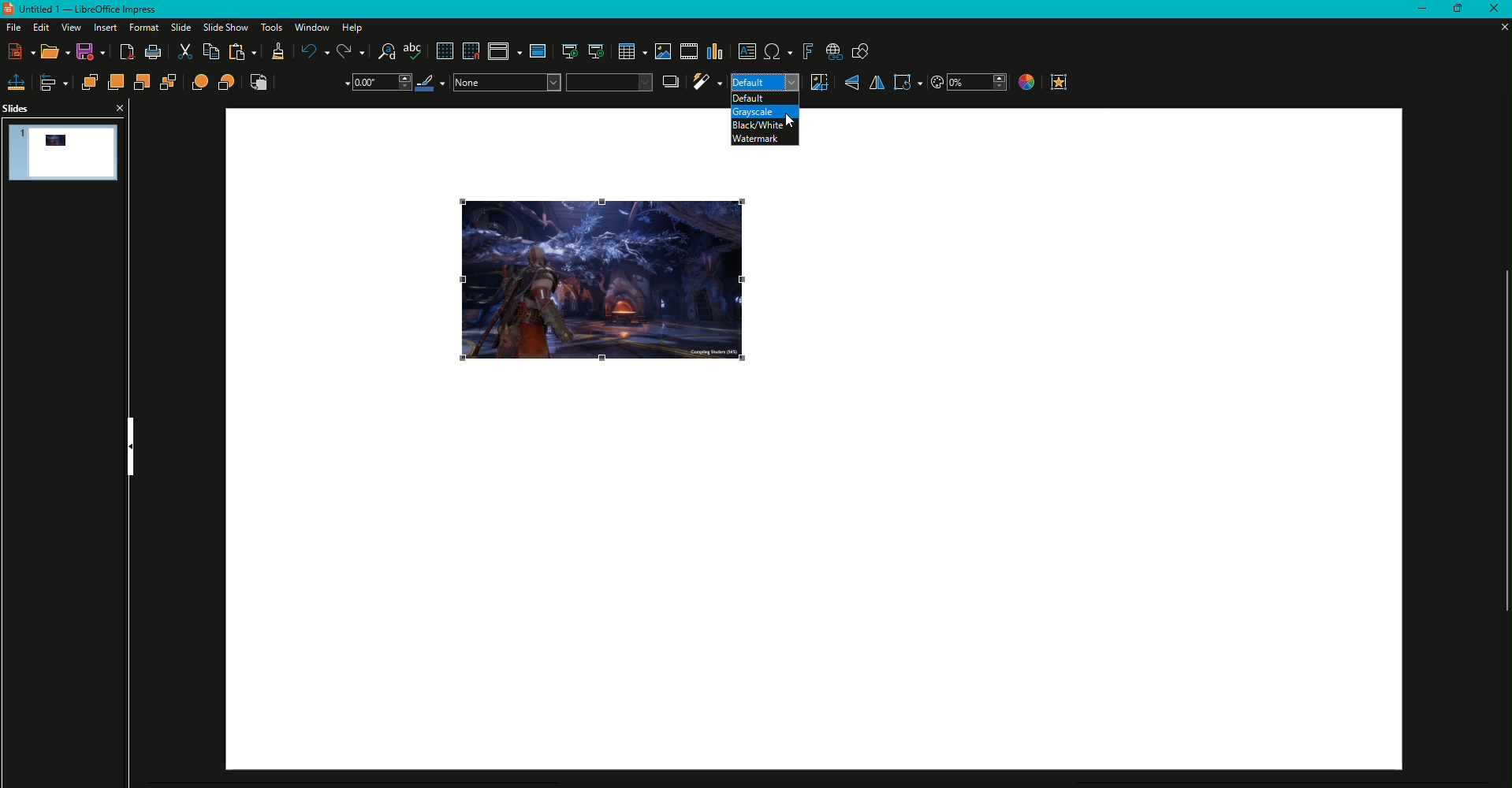 This screenshot has height=788, width=1512. What do you see at coordinates (118, 107) in the screenshot?
I see `Close` at bounding box center [118, 107].